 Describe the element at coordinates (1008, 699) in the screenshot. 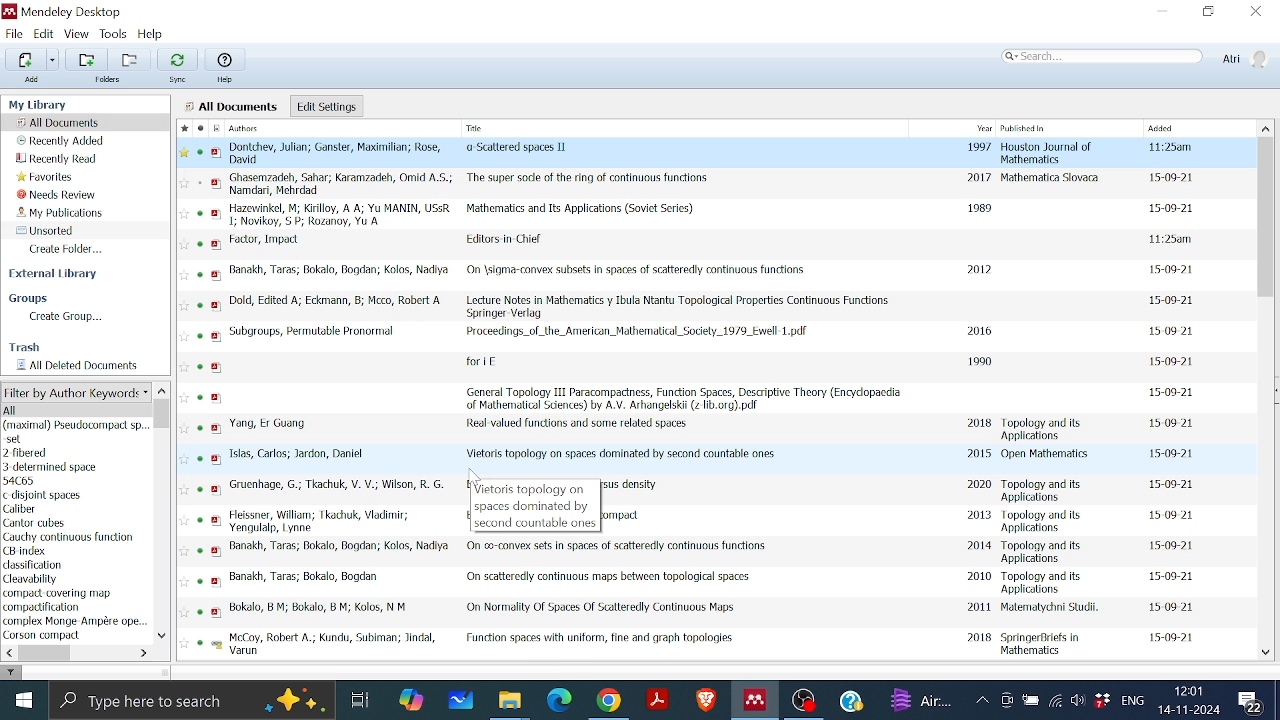

I see `Meet now` at that location.